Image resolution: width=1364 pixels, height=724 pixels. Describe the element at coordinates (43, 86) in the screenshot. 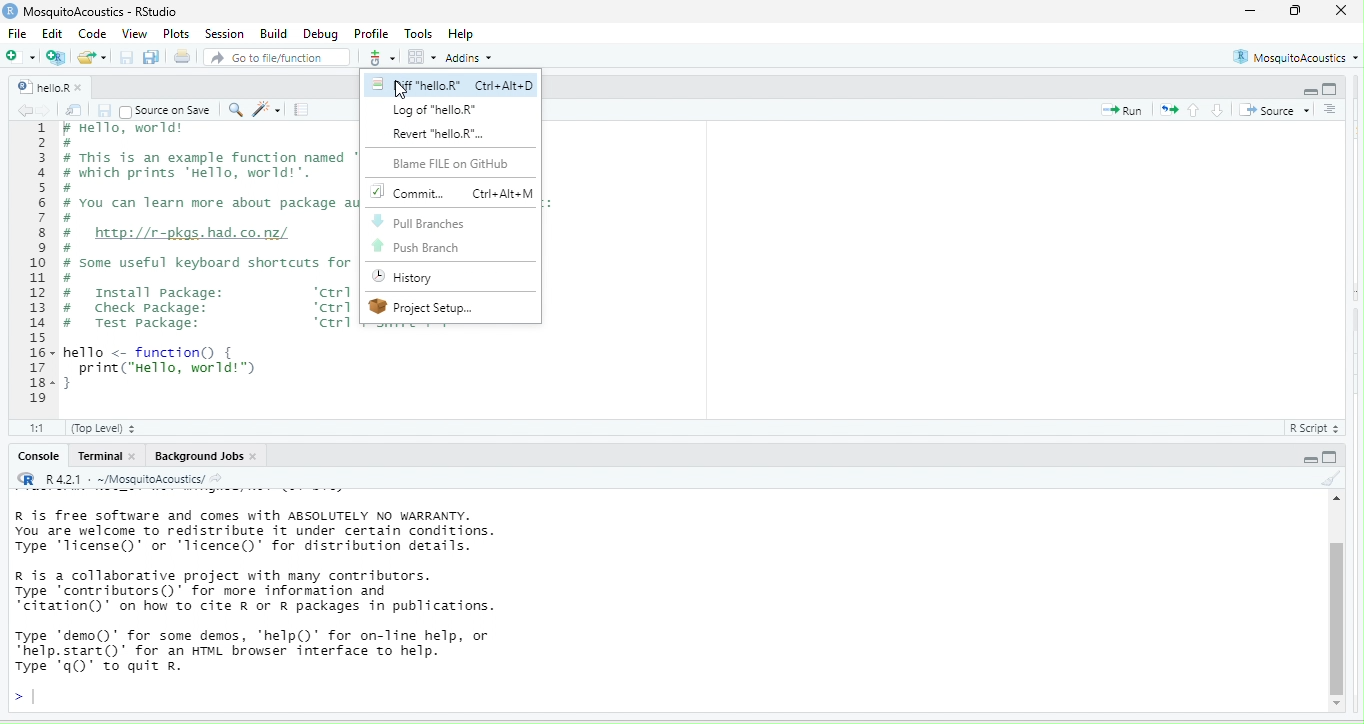

I see ` helloR` at that location.